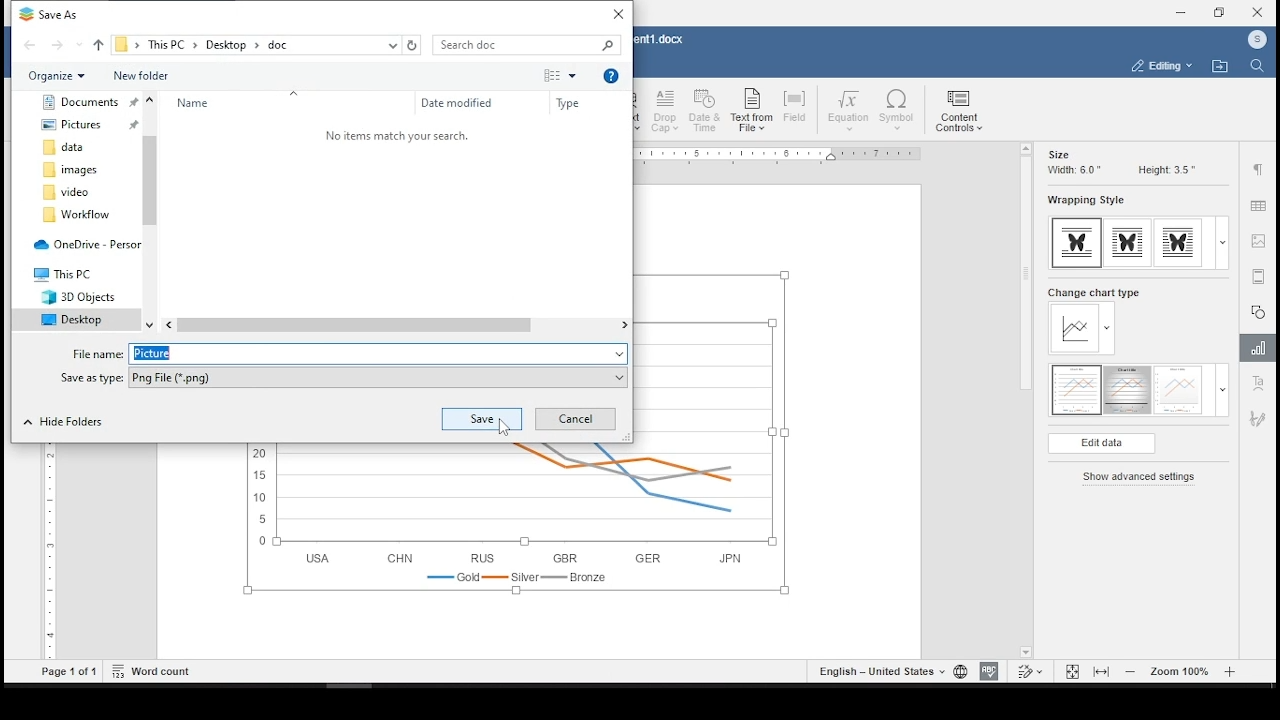 The image size is (1280, 720). I want to click on close window, so click(617, 13).